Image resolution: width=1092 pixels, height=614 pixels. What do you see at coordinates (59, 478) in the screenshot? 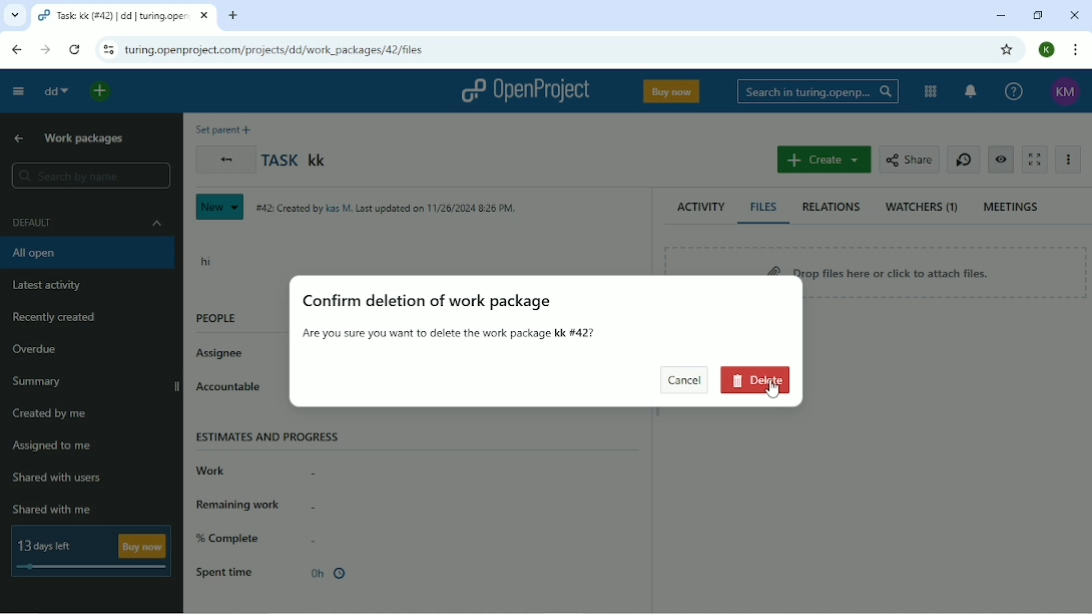
I see `Shared with users` at bounding box center [59, 478].